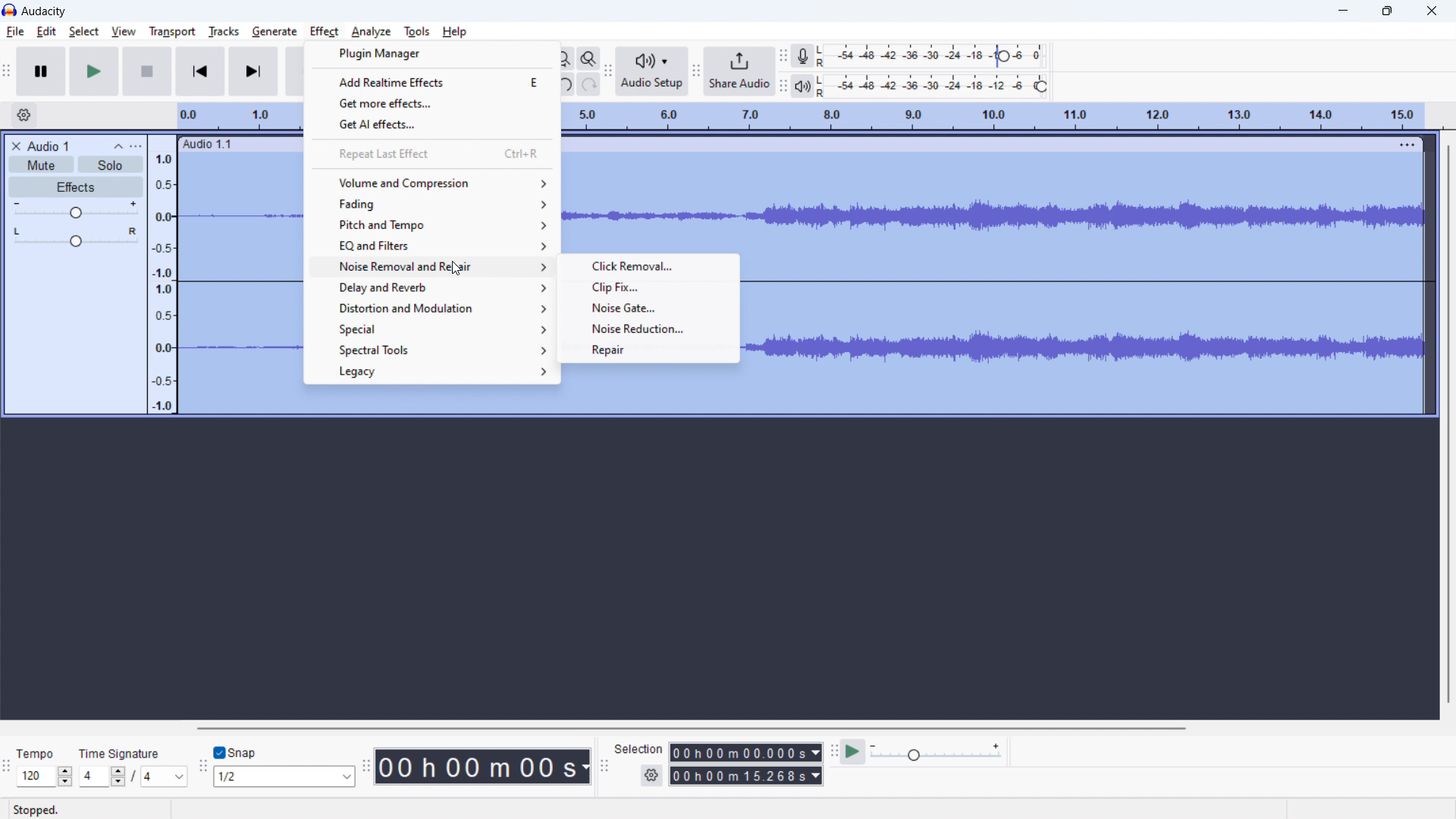  I want to click on repair, so click(648, 350).